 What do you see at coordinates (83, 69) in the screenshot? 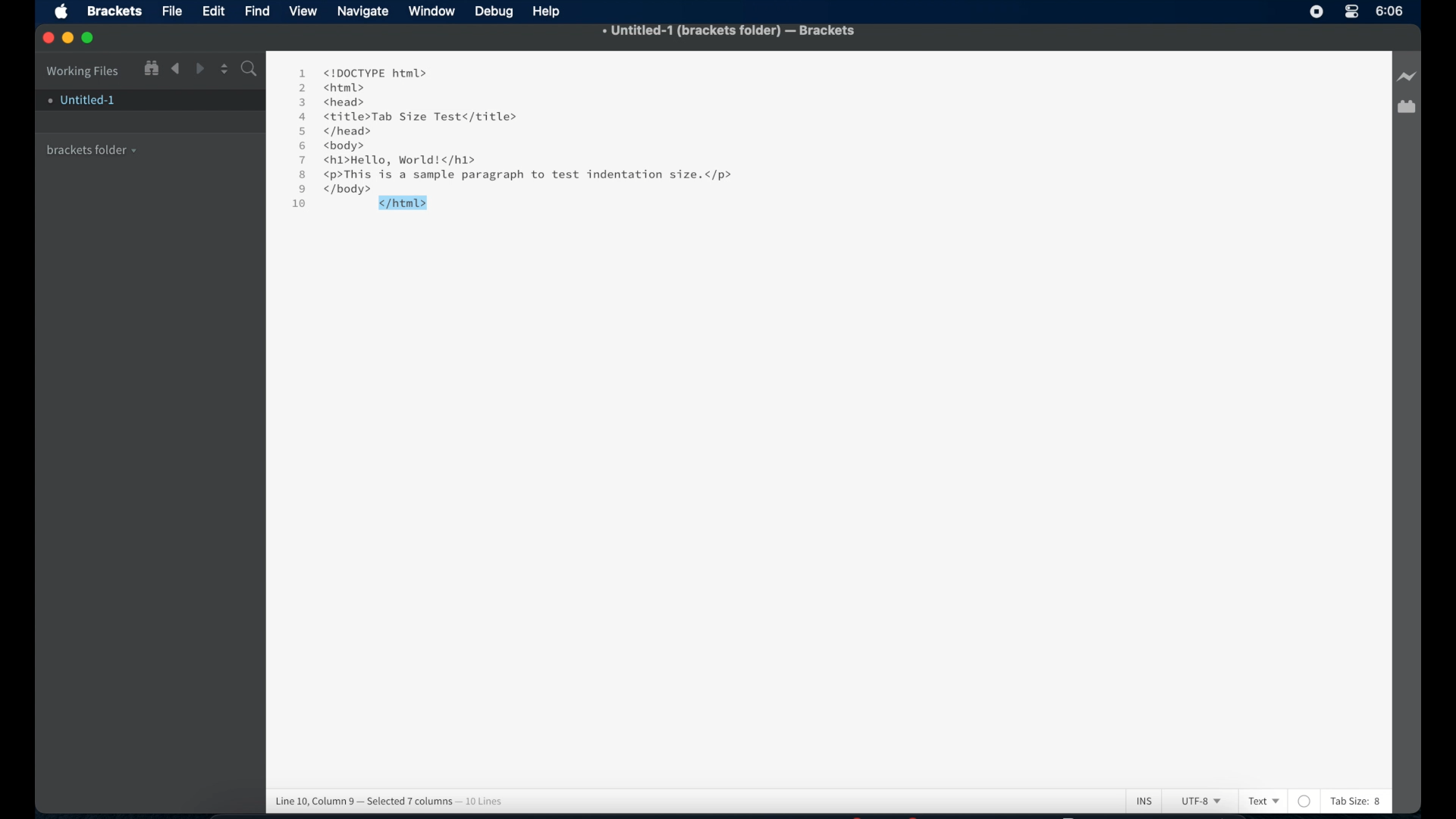
I see `Working Files` at bounding box center [83, 69].